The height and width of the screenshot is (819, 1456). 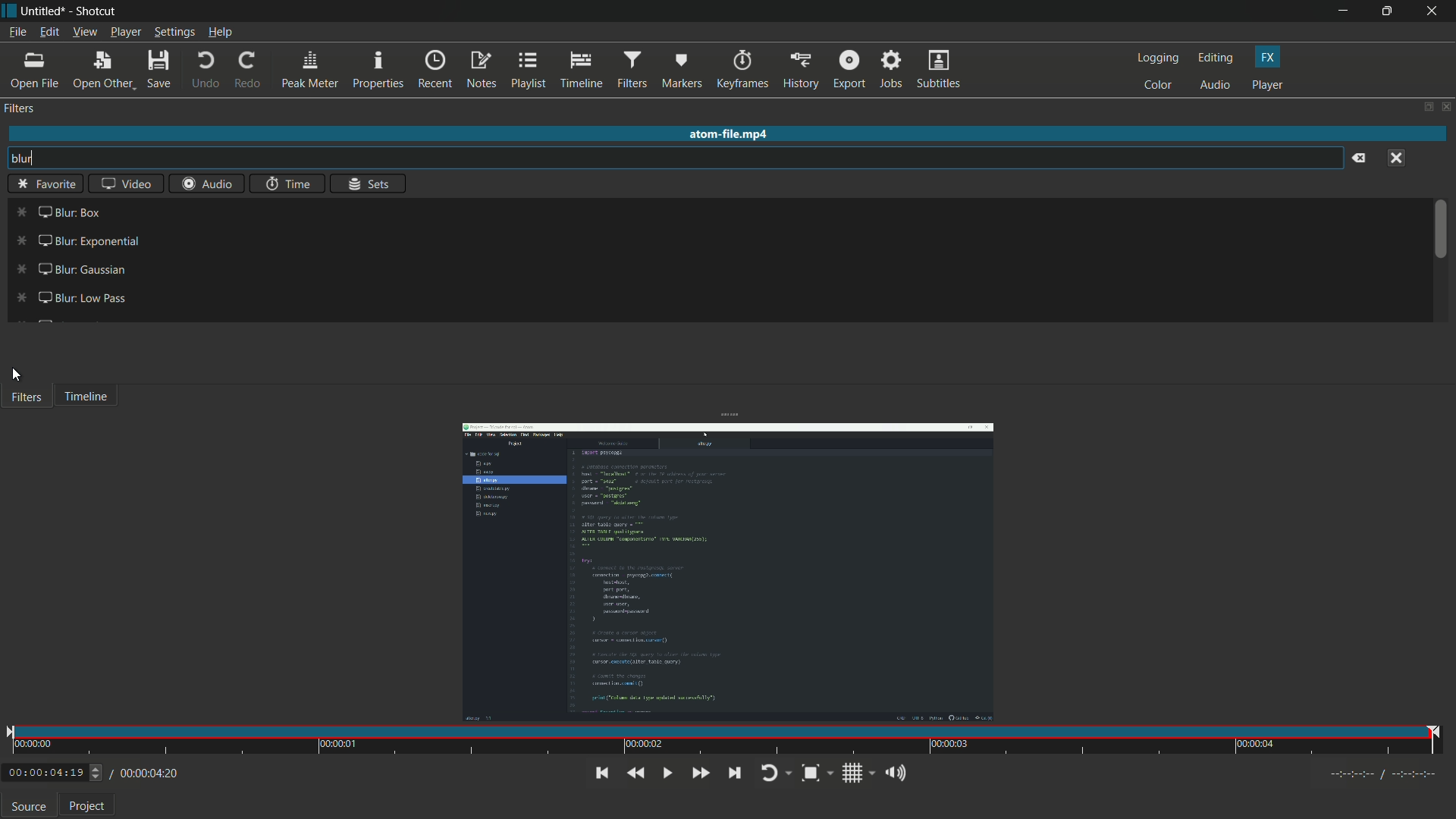 What do you see at coordinates (145, 773) in the screenshot?
I see `/ 00:00:04:20` at bounding box center [145, 773].